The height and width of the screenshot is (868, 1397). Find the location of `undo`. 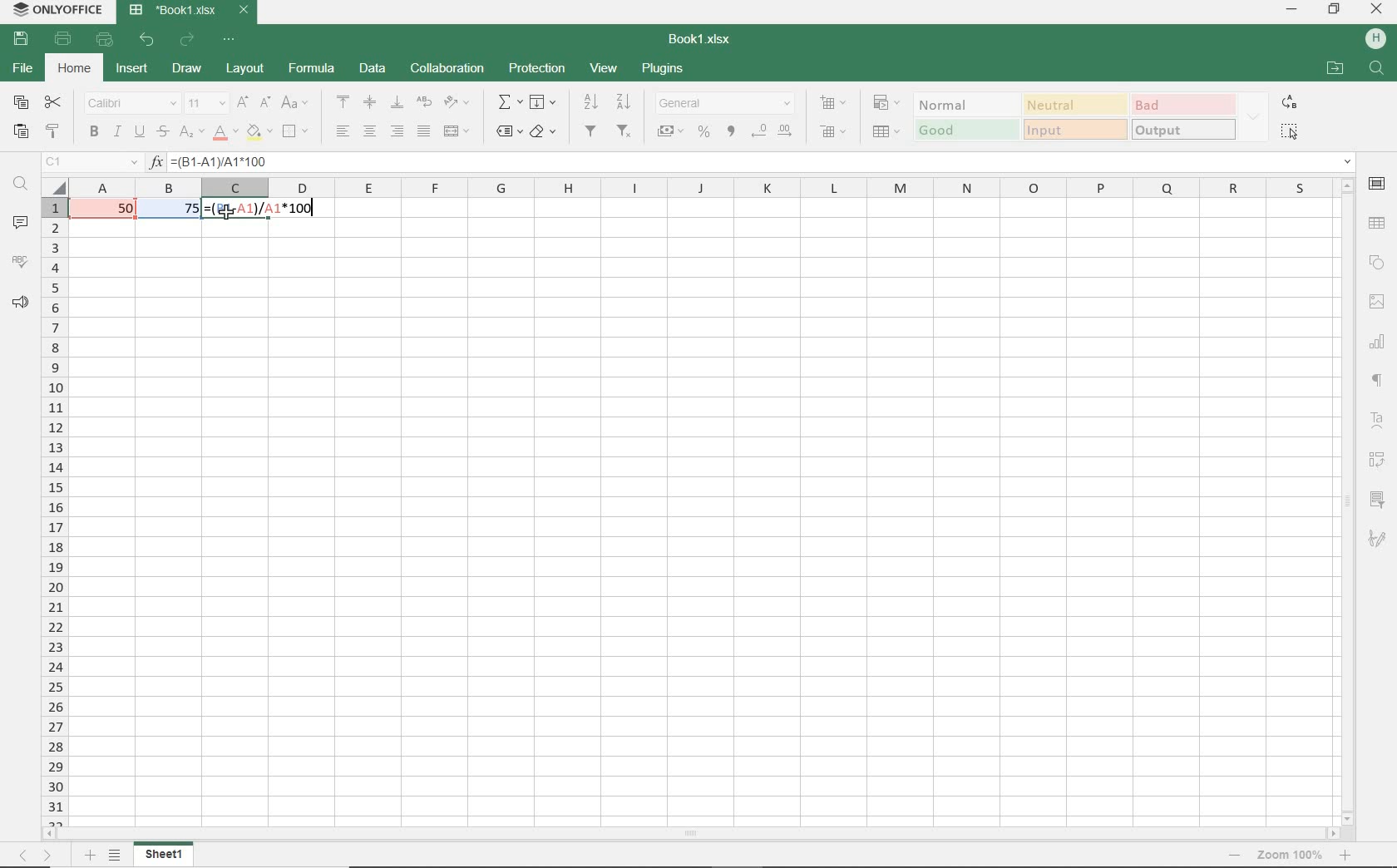

undo is located at coordinates (147, 42).